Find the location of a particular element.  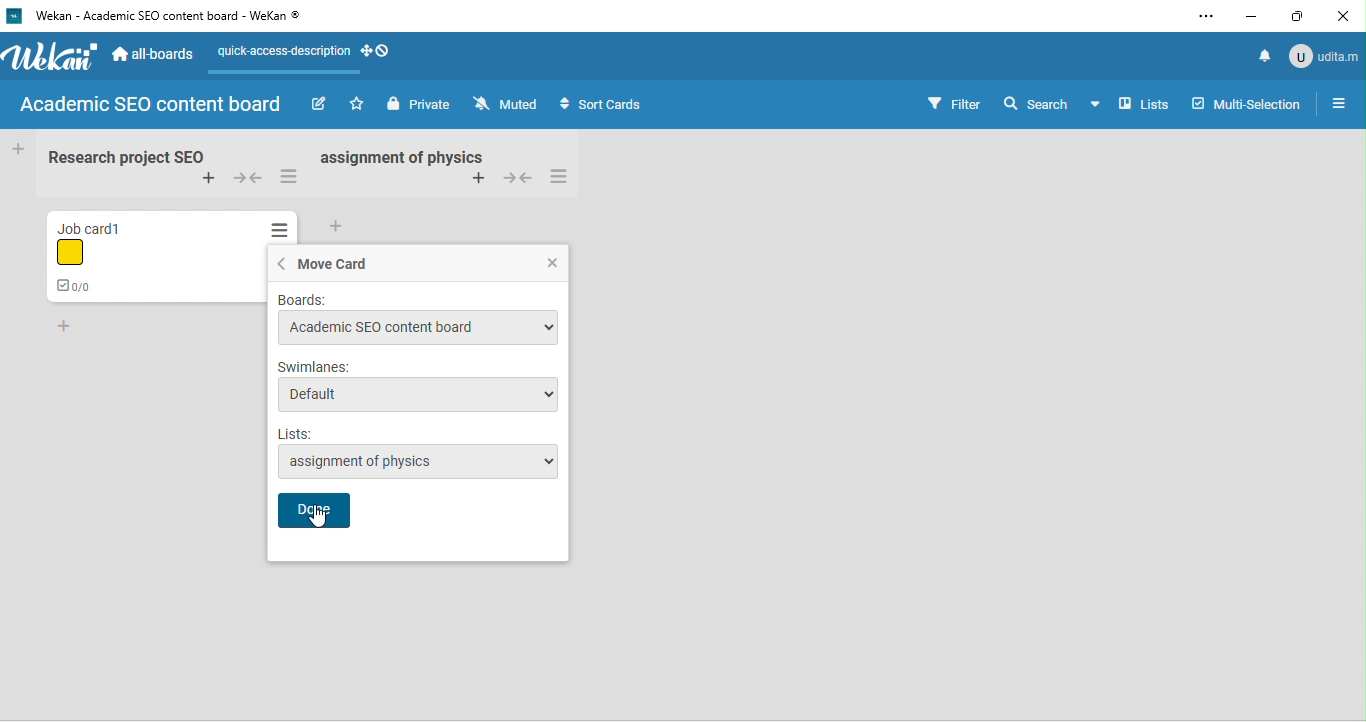

multi-selection is located at coordinates (1246, 101).